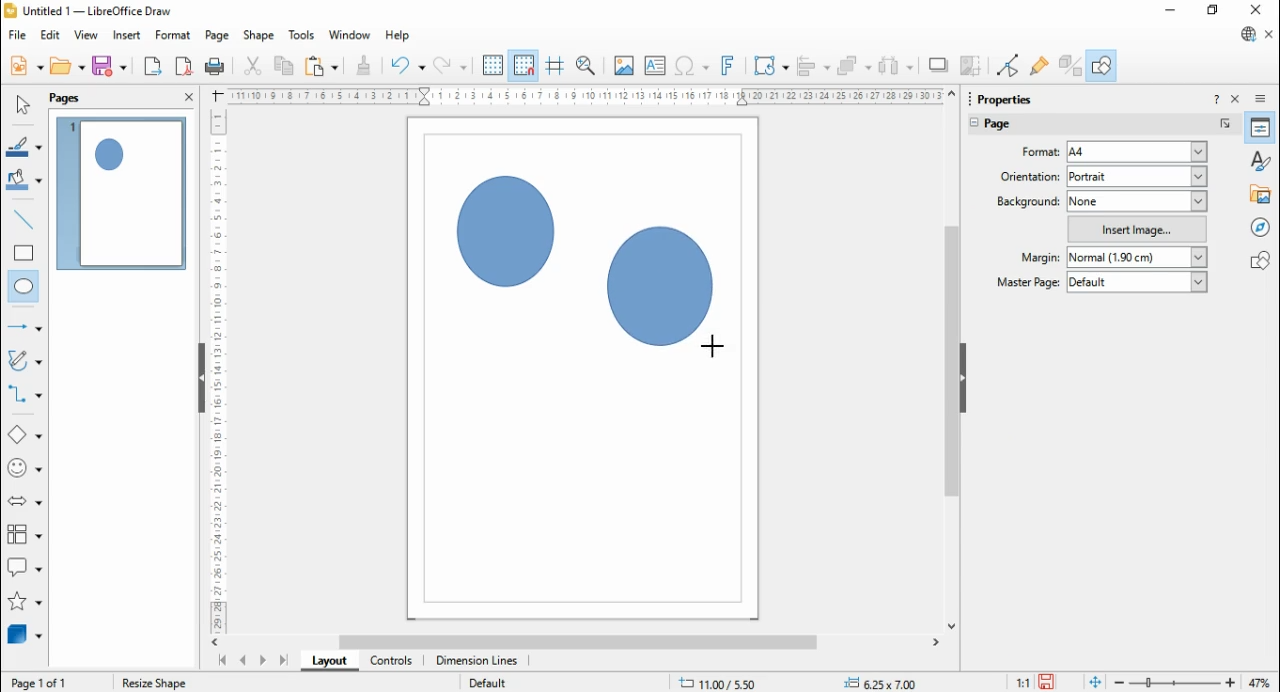 The height and width of the screenshot is (692, 1280). I want to click on paste, so click(320, 65).